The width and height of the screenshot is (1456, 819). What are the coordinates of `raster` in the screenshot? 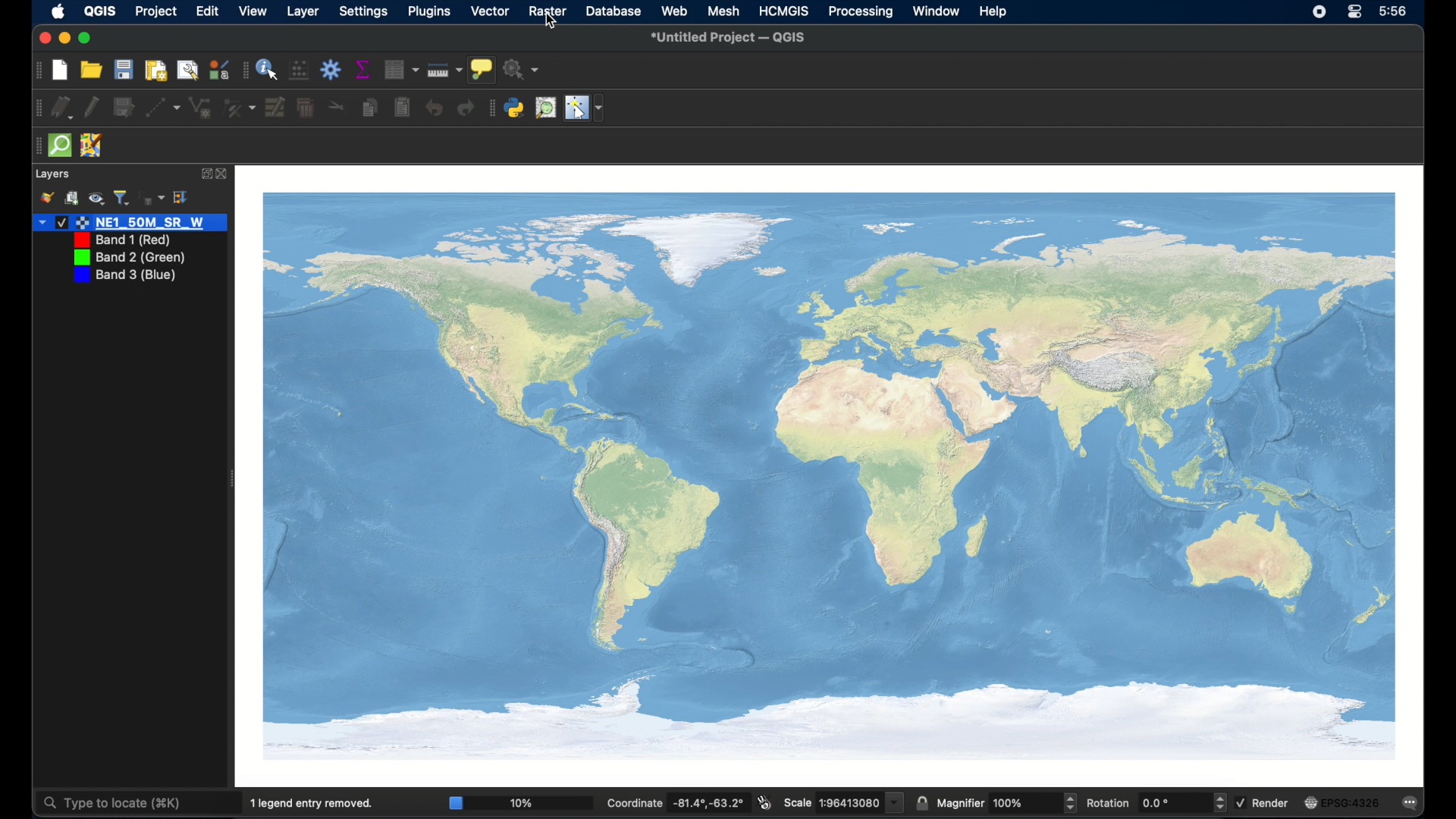 It's located at (548, 11).